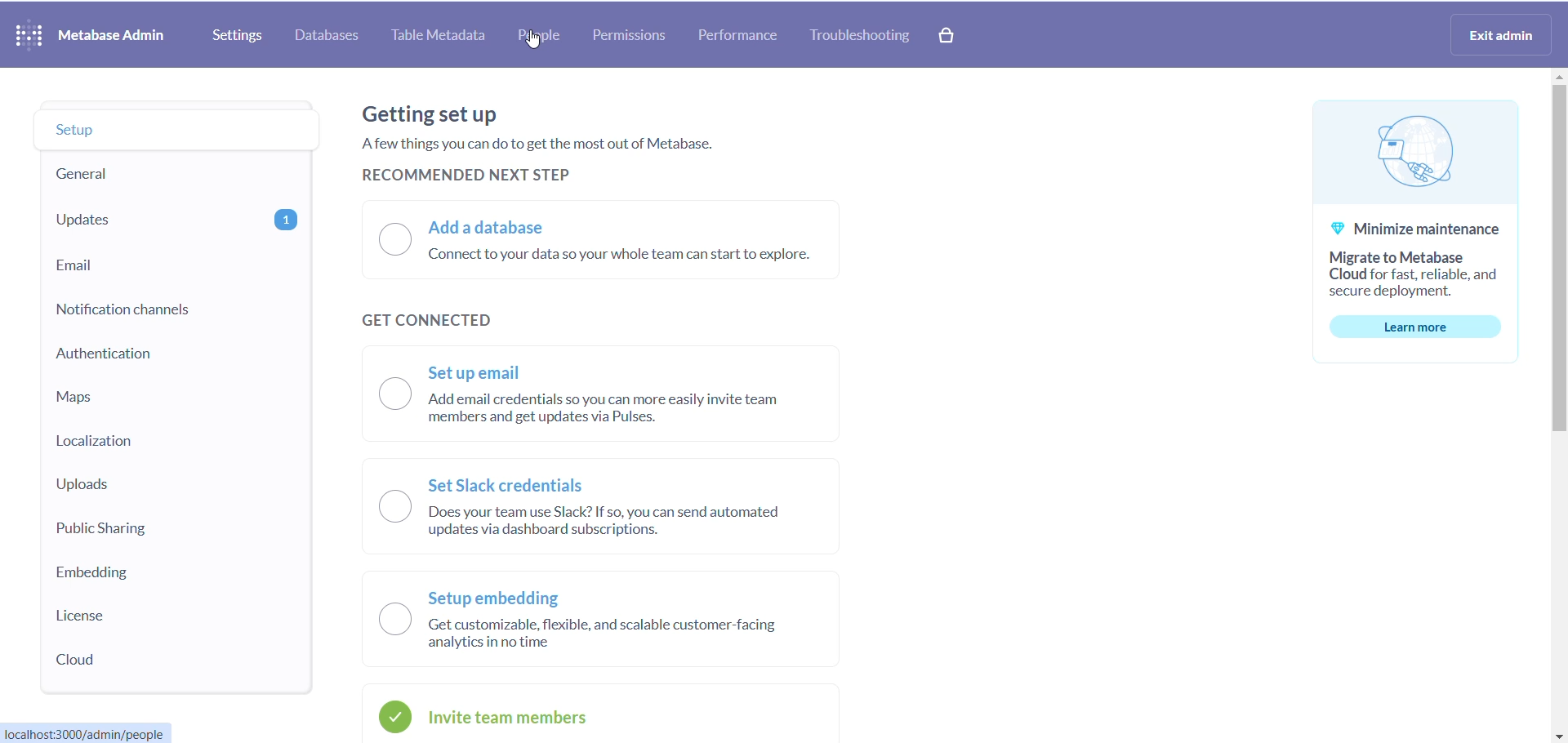 The height and width of the screenshot is (743, 1568). What do you see at coordinates (864, 35) in the screenshot?
I see `troubleshooting` at bounding box center [864, 35].